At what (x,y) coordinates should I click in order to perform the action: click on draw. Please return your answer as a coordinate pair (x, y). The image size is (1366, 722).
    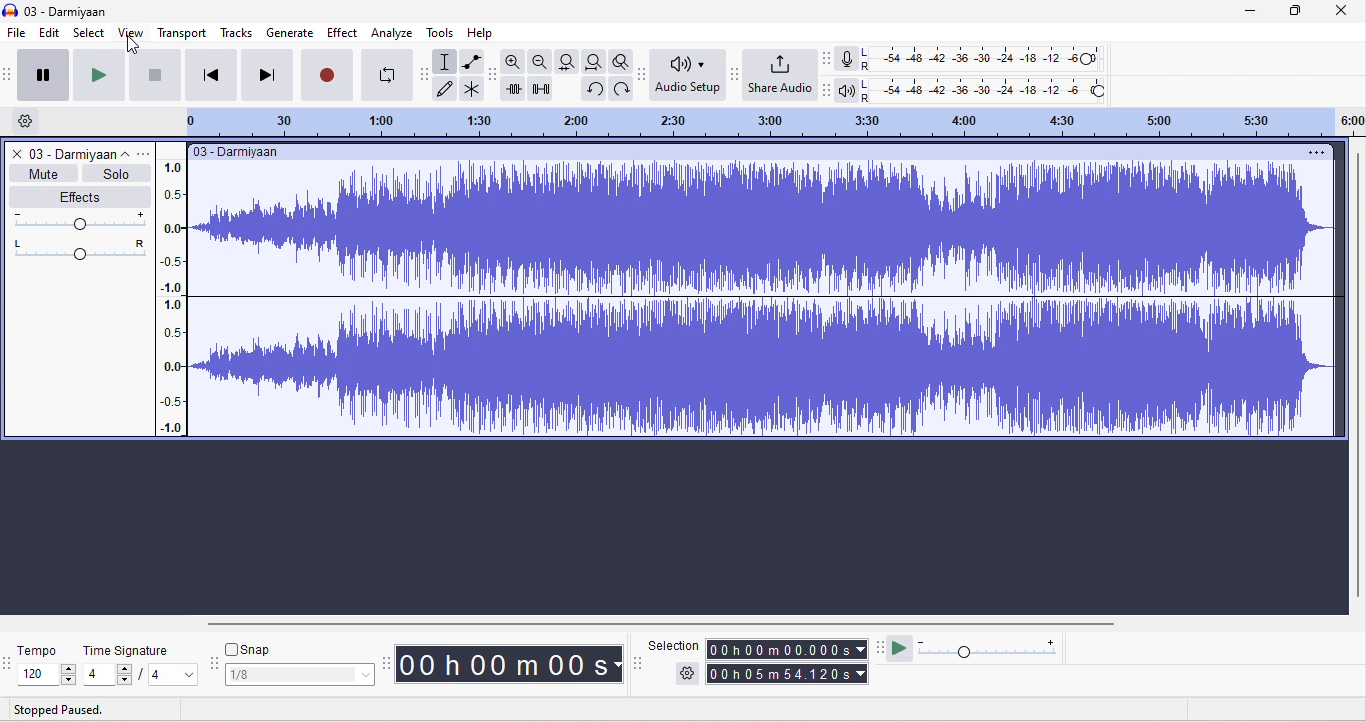
    Looking at the image, I should click on (447, 88).